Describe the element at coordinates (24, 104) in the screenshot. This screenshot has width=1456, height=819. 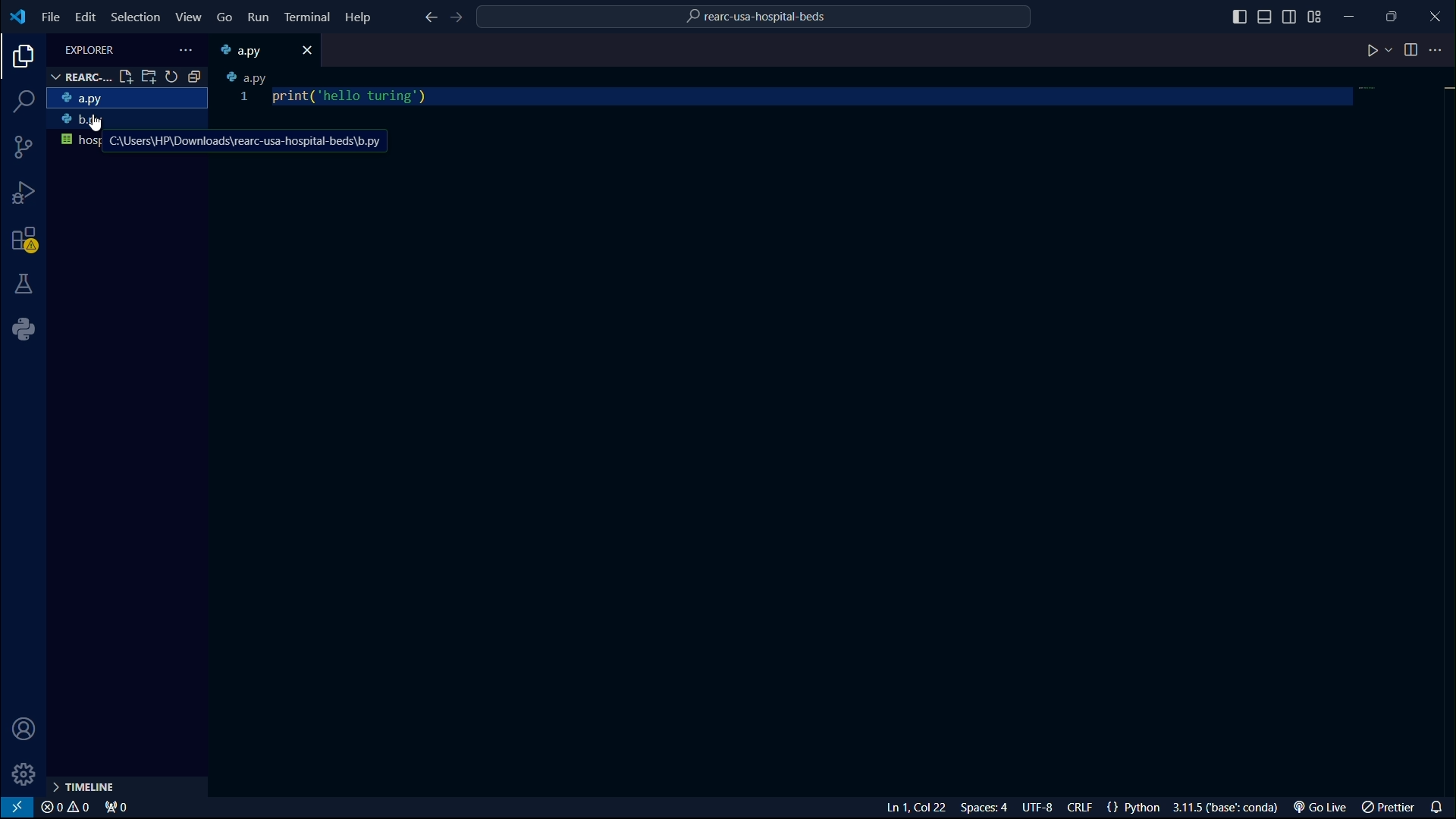
I see `search` at that location.